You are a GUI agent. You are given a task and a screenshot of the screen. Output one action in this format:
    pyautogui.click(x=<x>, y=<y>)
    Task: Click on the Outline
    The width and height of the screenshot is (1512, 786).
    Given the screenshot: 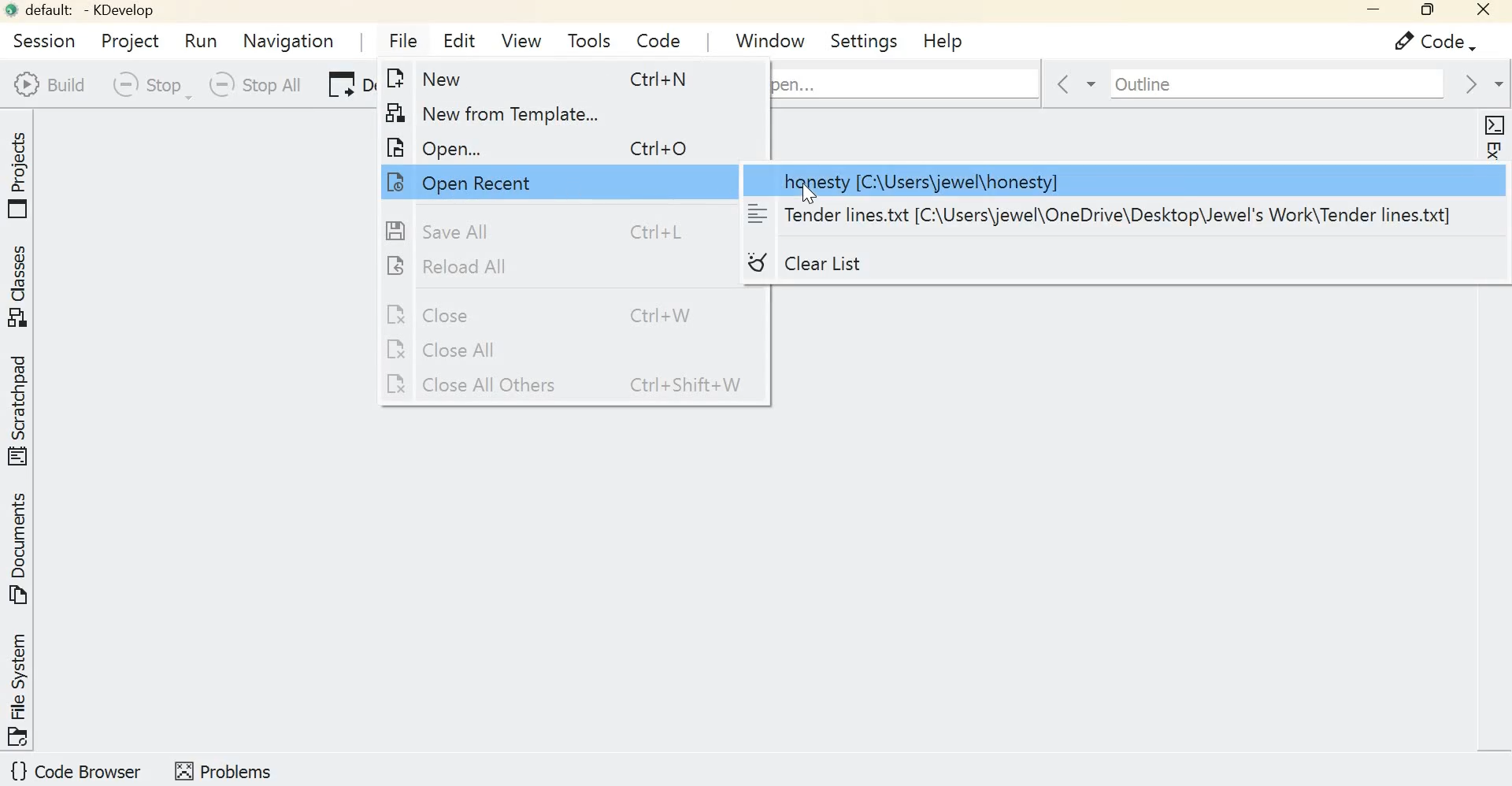 What is the action you would take?
    pyautogui.click(x=1263, y=83)
    